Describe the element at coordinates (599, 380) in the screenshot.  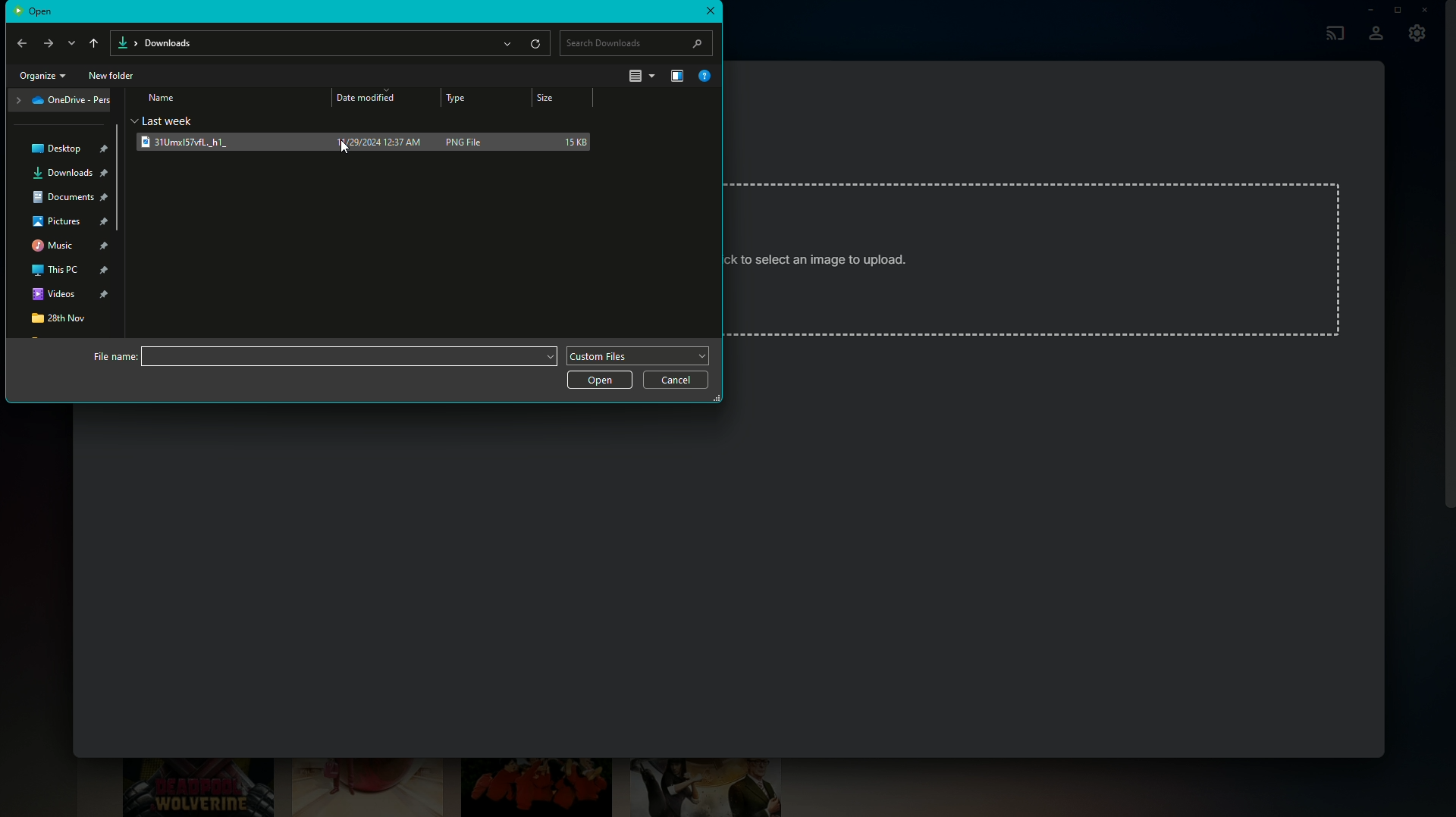
I see `Open` at that location.